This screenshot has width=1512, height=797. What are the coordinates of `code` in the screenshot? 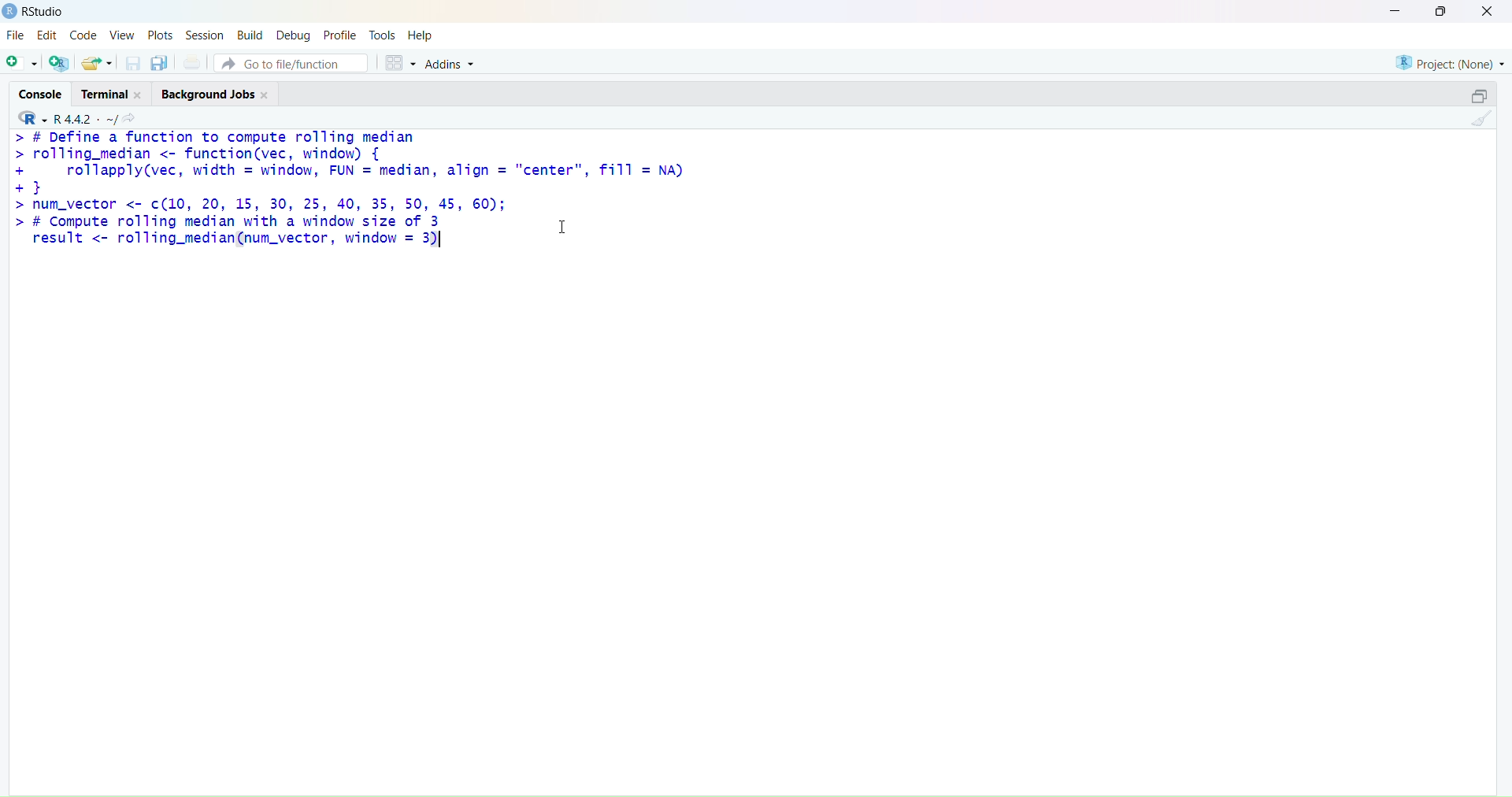 It's located at (84, 35).